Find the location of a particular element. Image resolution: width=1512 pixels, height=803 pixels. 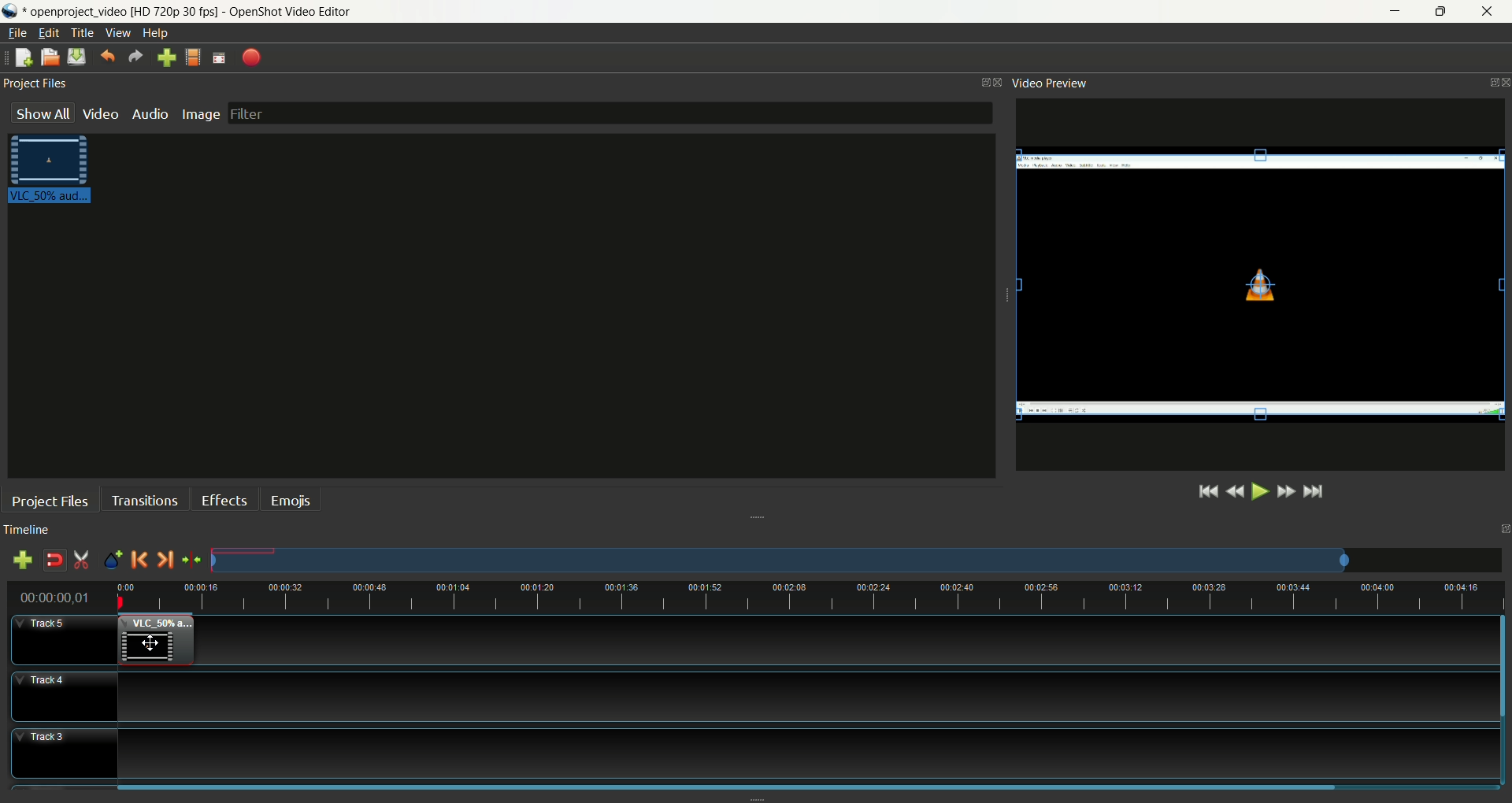

project files is located at coordinates (37, 87).